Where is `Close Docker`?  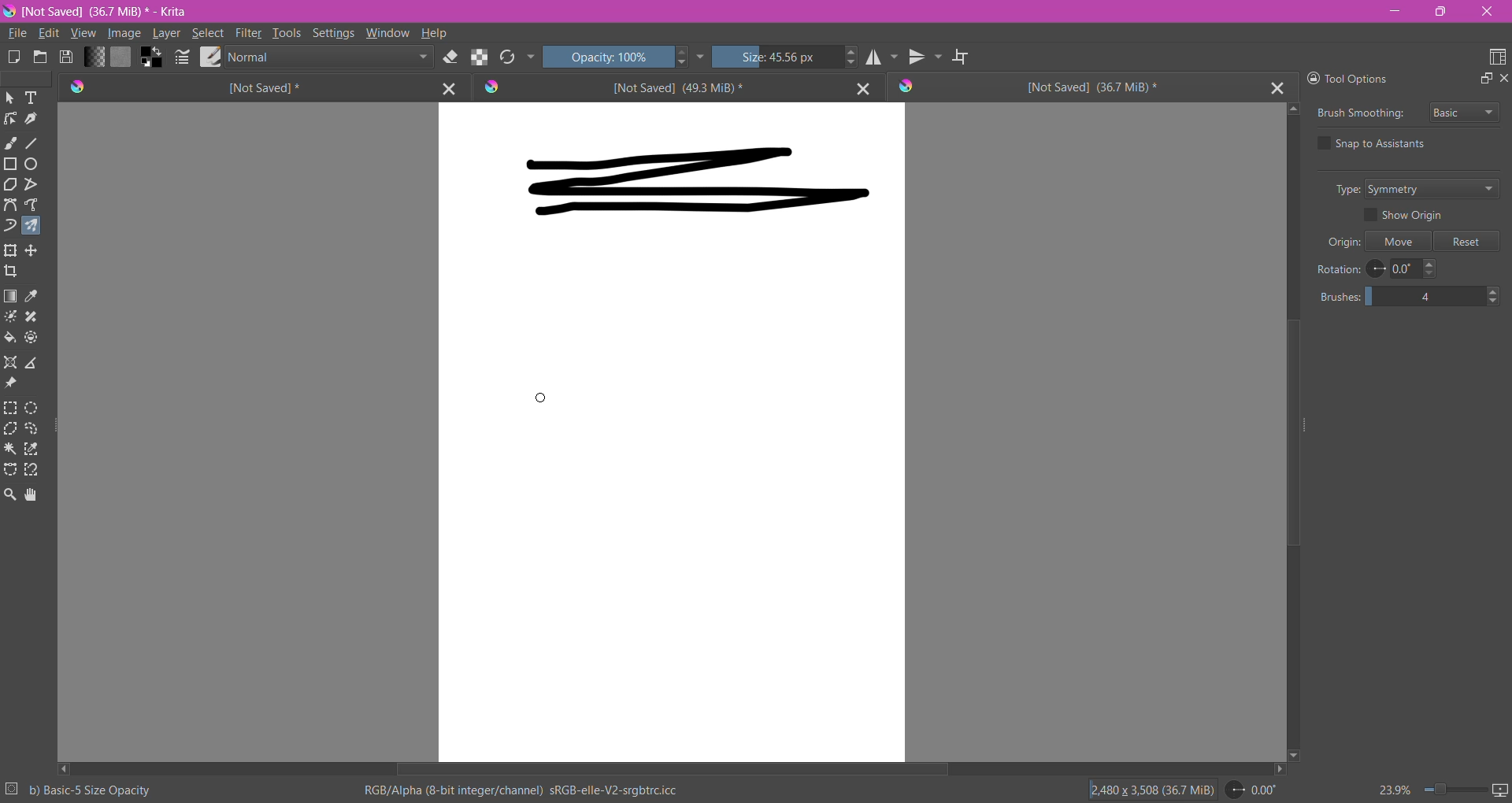
Close Docker is located at coordinates (1503, 80).